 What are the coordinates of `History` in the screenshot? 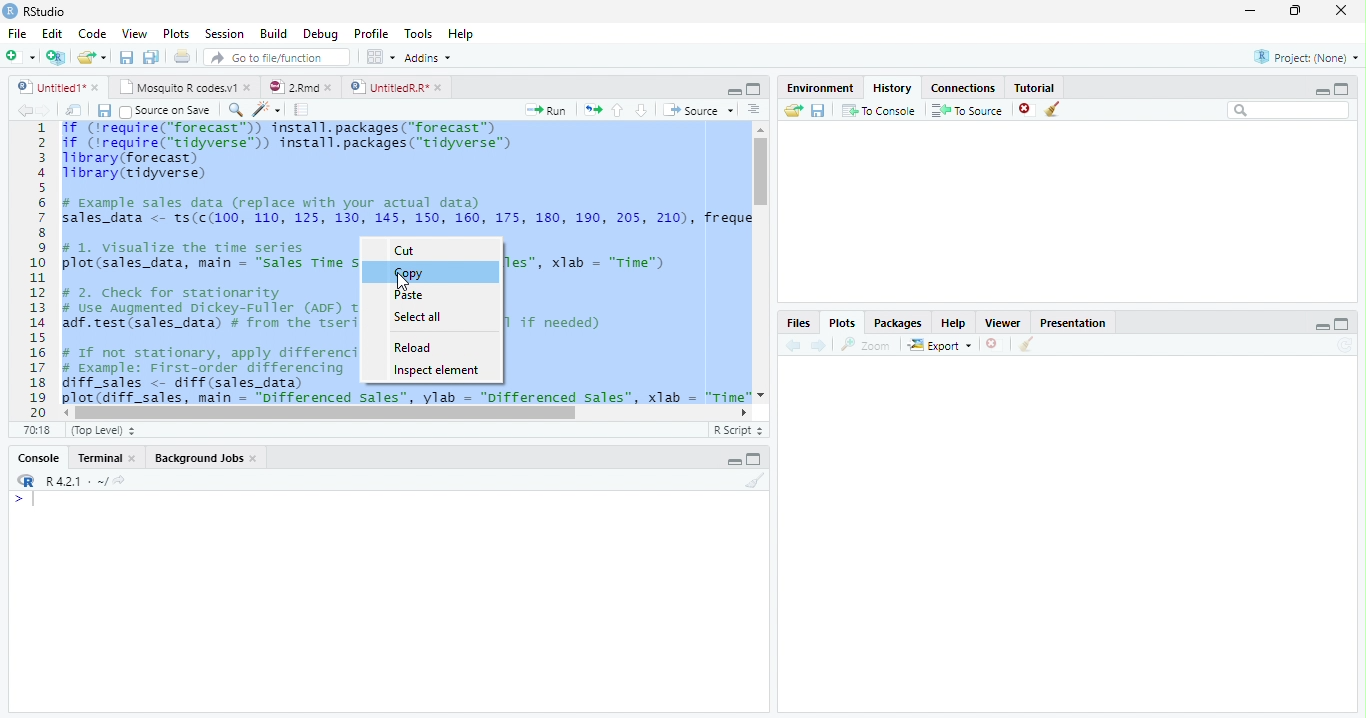 It's located at (893, 88).